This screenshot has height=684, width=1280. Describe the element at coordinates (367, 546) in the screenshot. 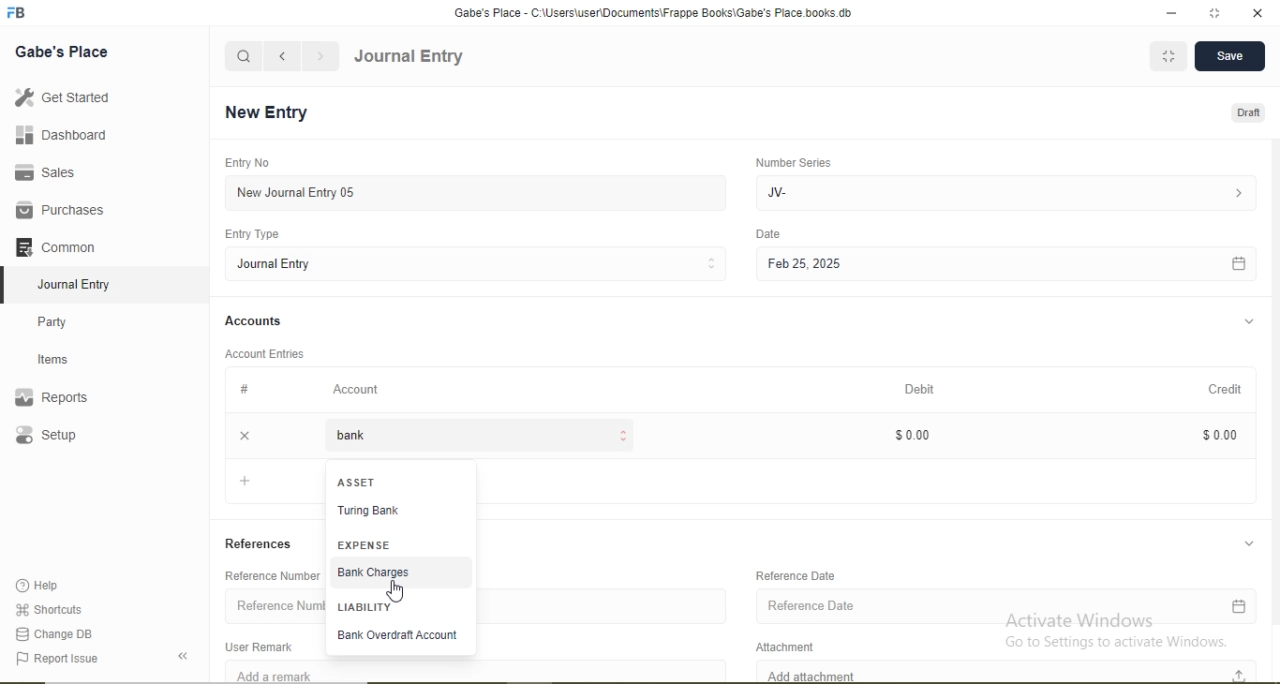

I see `EXPENSE` at that location.